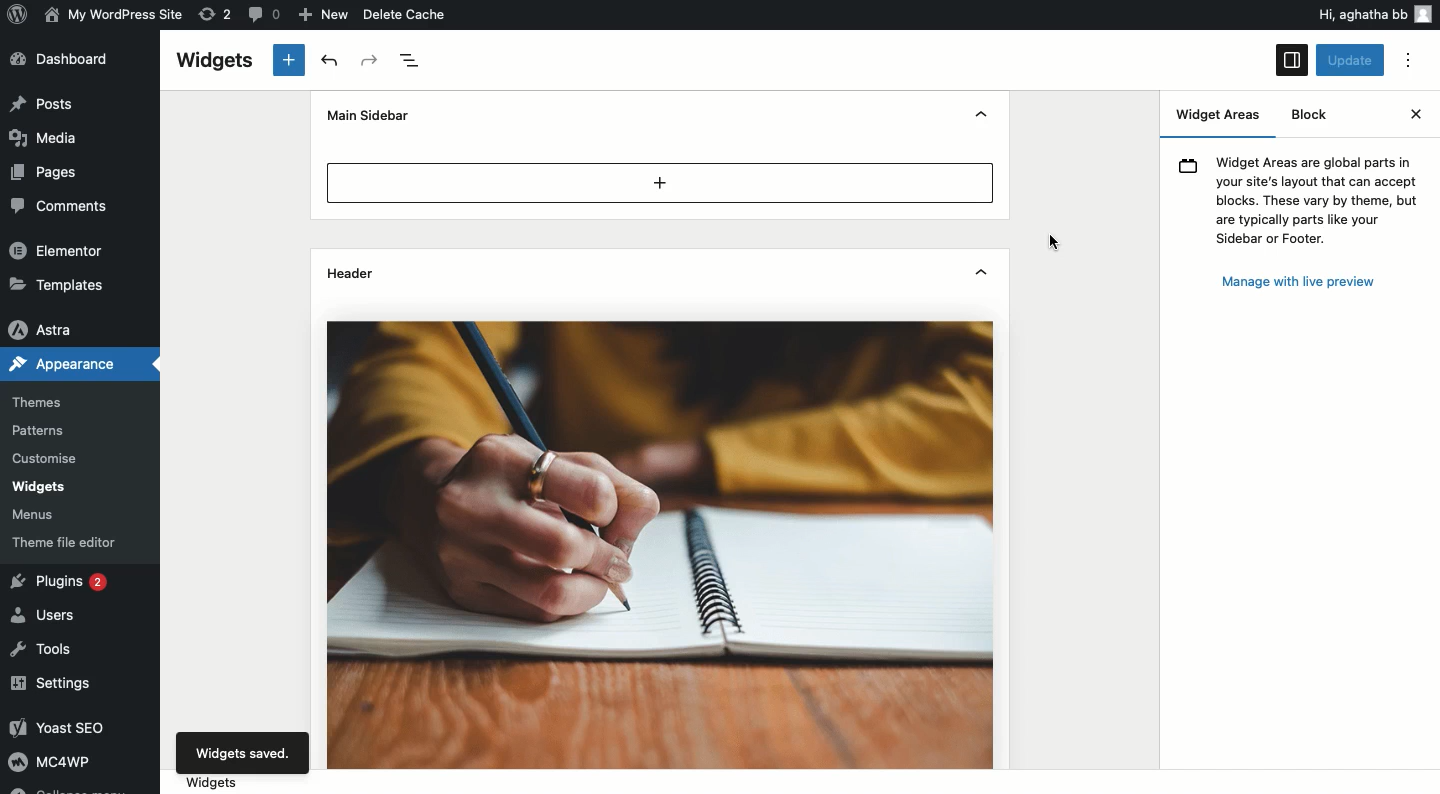 The height and width of the screenshot is (794, 1440). I want to click on Close, so click(1415, 114).